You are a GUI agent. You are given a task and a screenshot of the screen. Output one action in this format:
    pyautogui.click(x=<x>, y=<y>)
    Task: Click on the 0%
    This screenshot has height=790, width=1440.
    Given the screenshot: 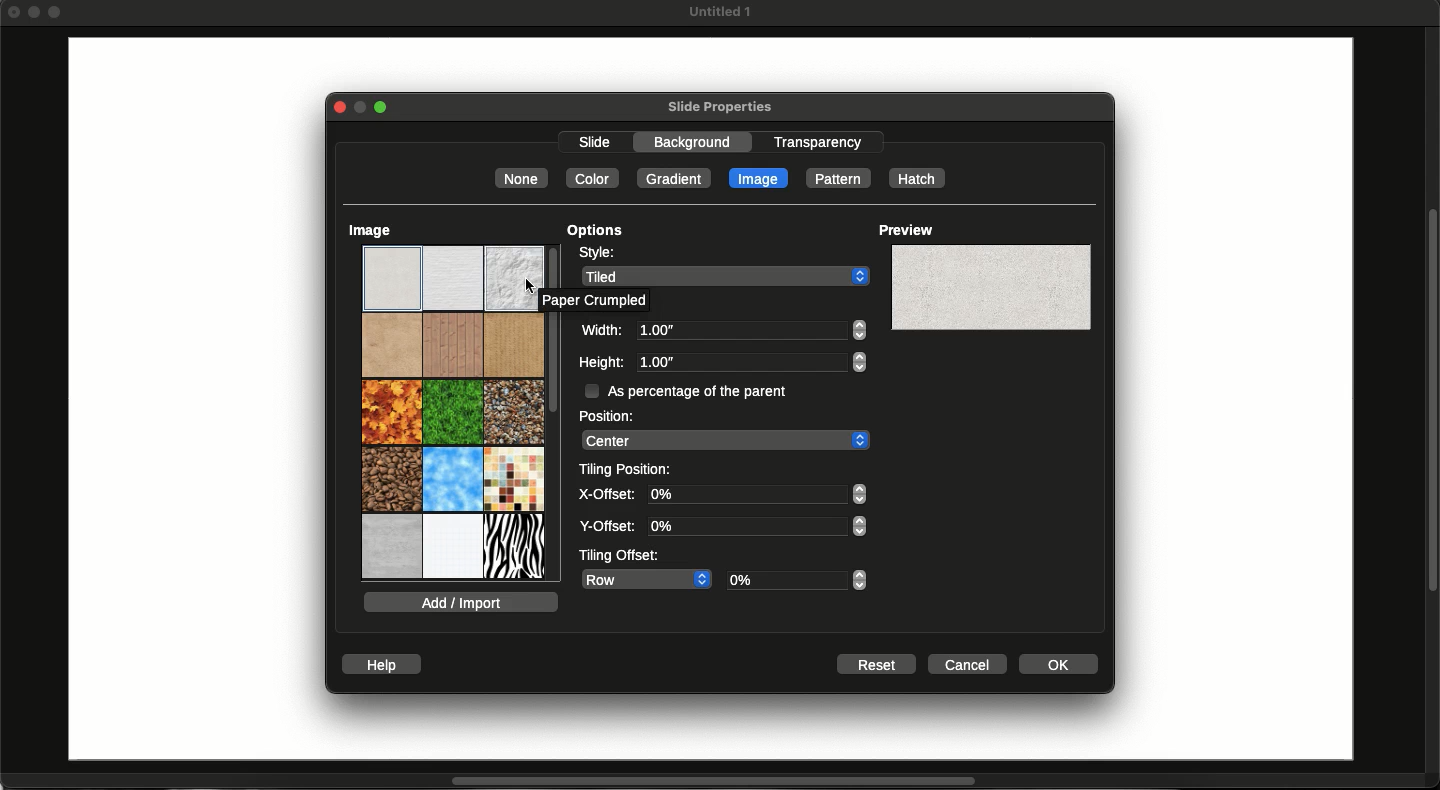 What is the action you would take?
    pyautogui.click(x=757, y=494)
    